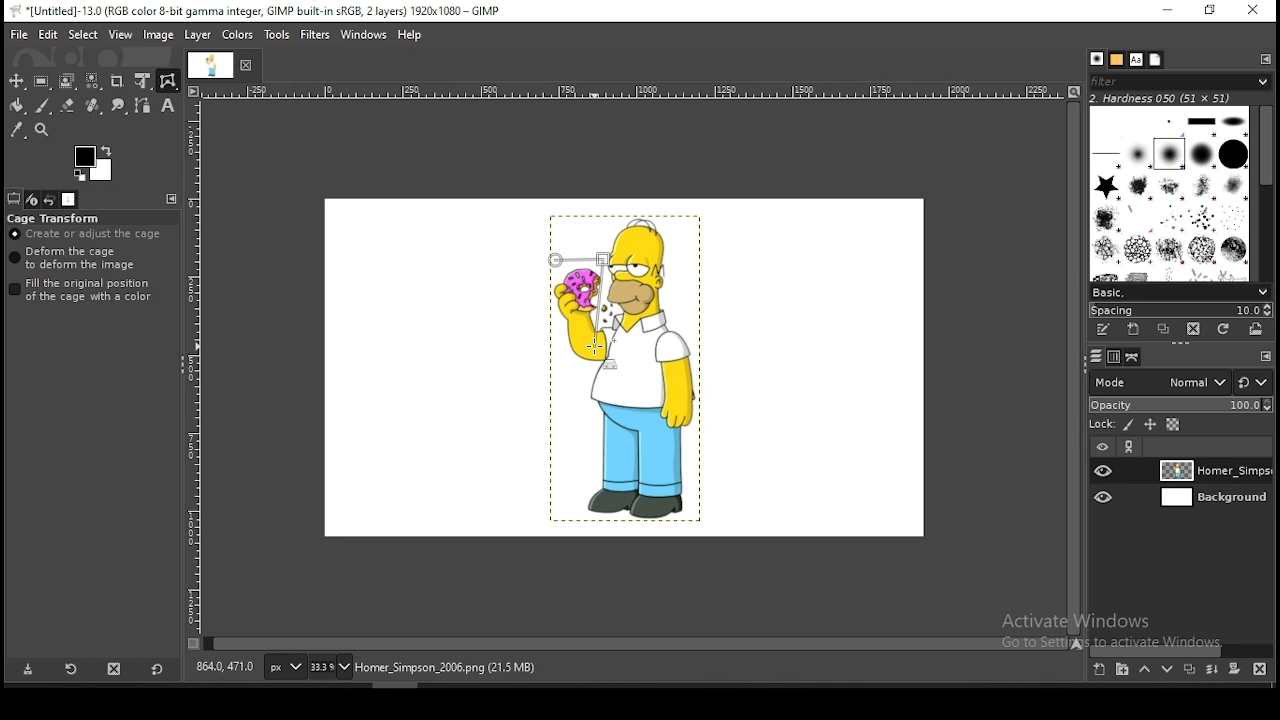  I want to click on home_simpsons_2006.png (21.5 mb), so click(444, 669).